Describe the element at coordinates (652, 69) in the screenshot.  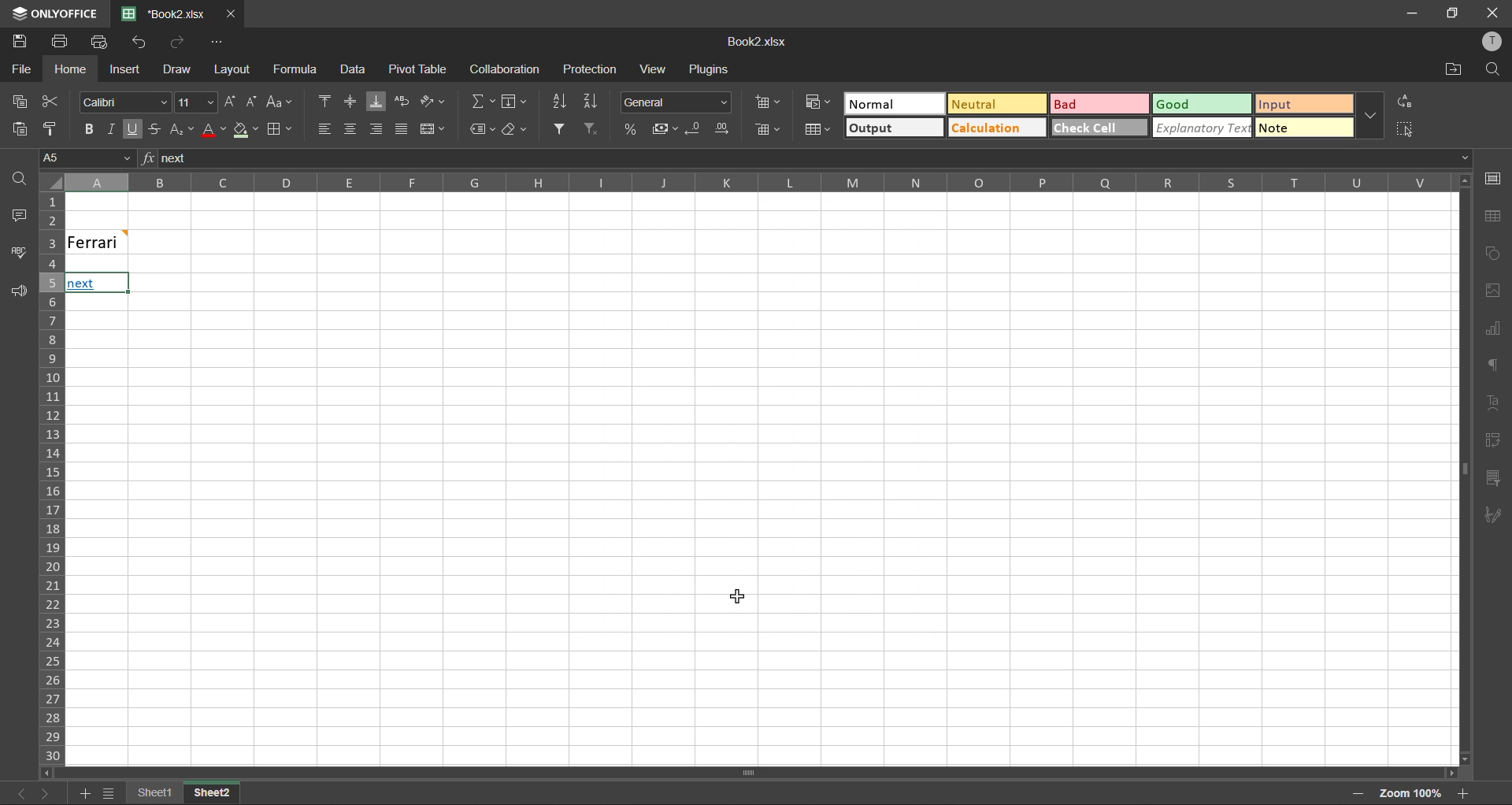
I see `view` at that location.